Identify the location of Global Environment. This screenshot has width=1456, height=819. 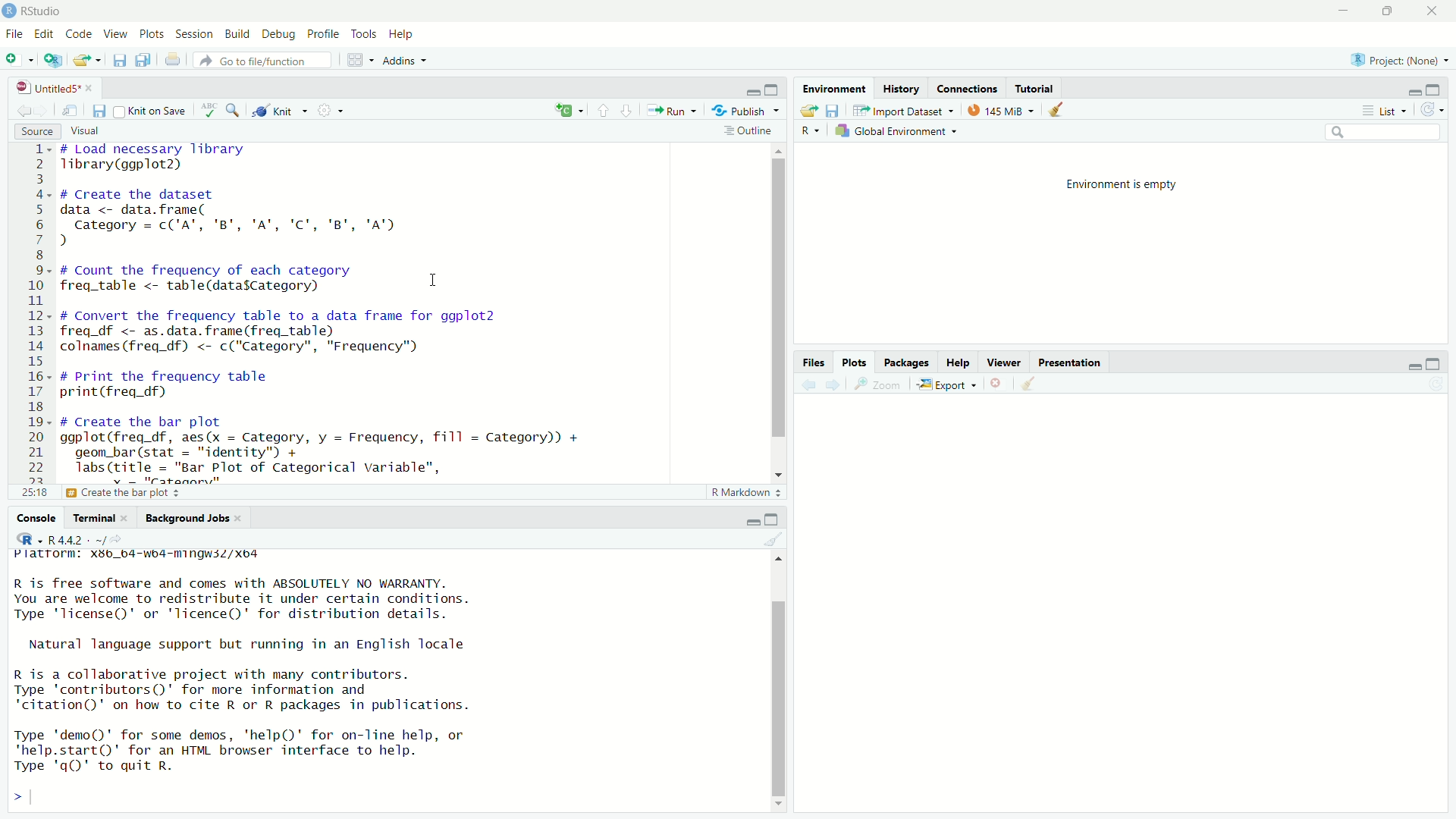
(893, 132).